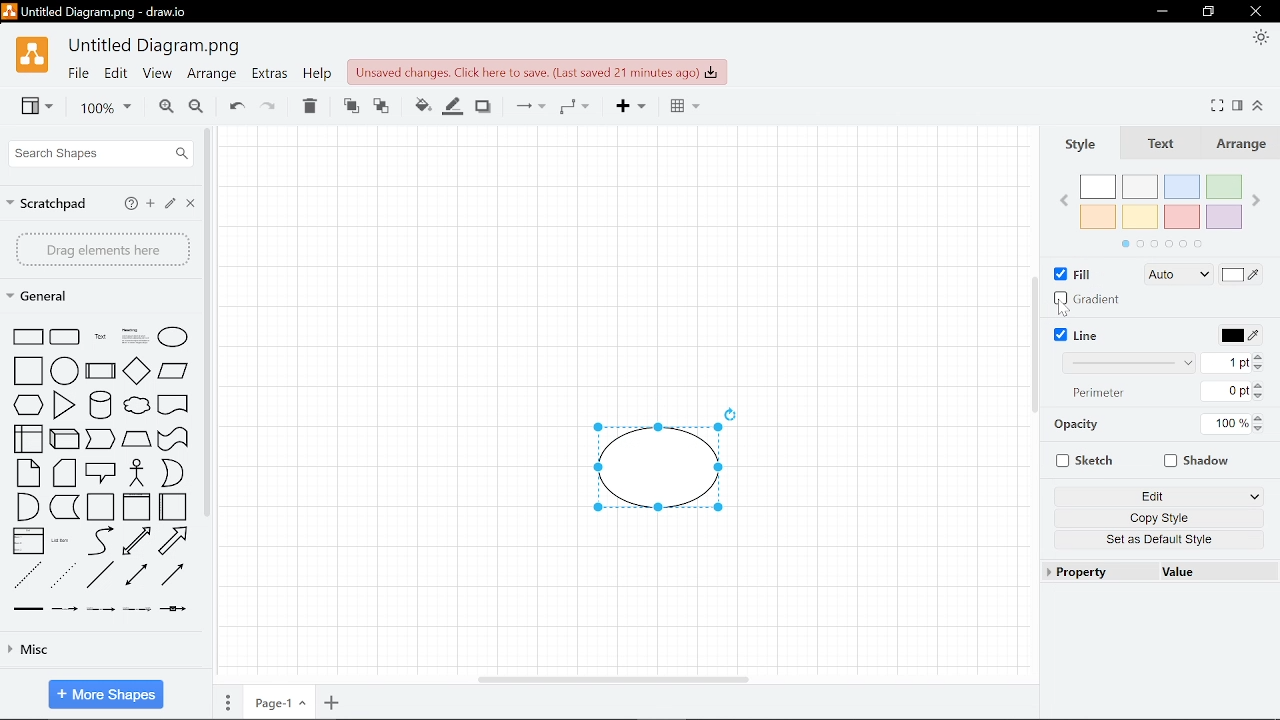 The image size is (1280, 720). I want to click on Edit, so click(168, 204).